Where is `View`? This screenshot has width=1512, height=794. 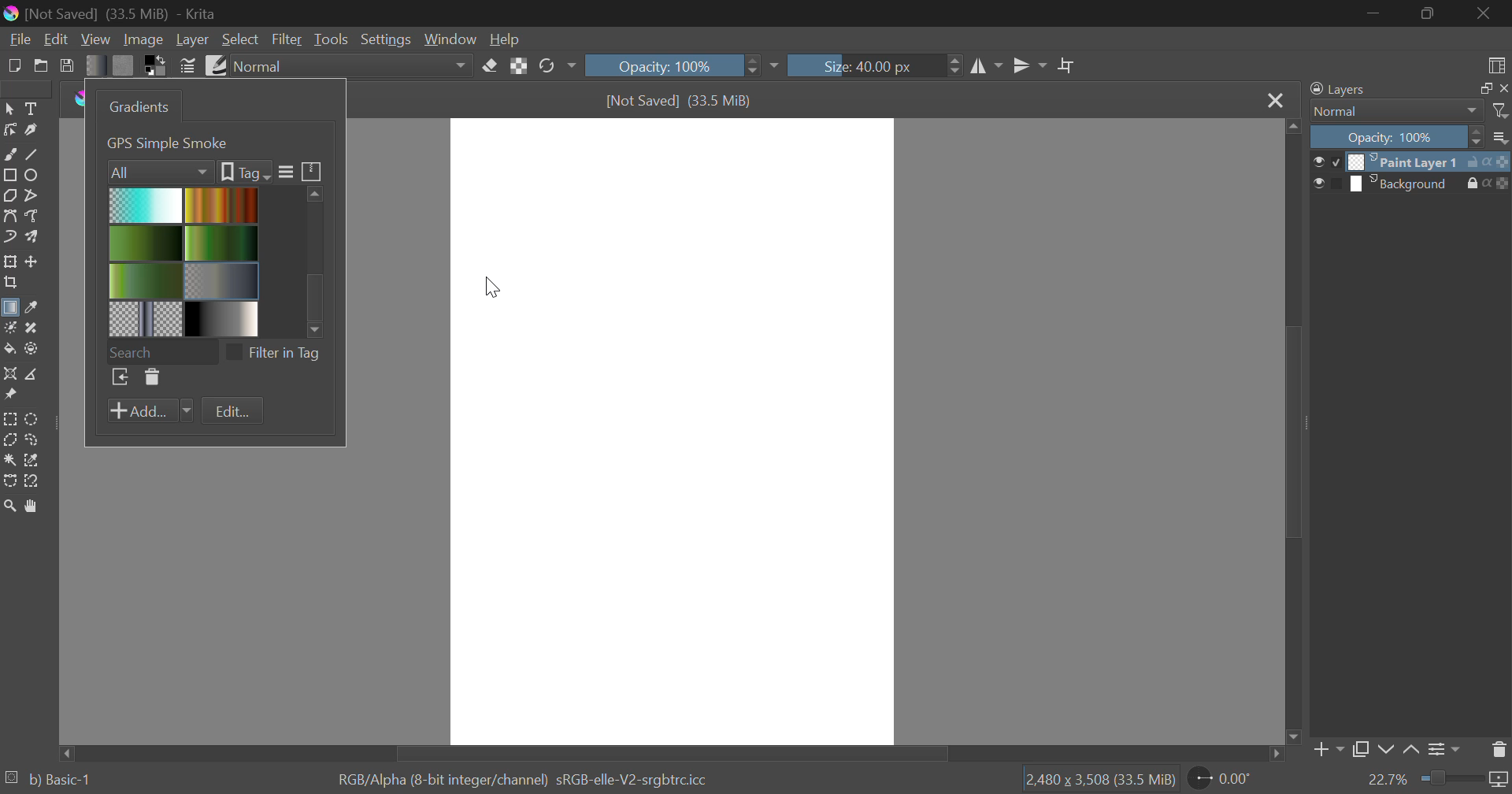 View is located at coordinates (96, 39).